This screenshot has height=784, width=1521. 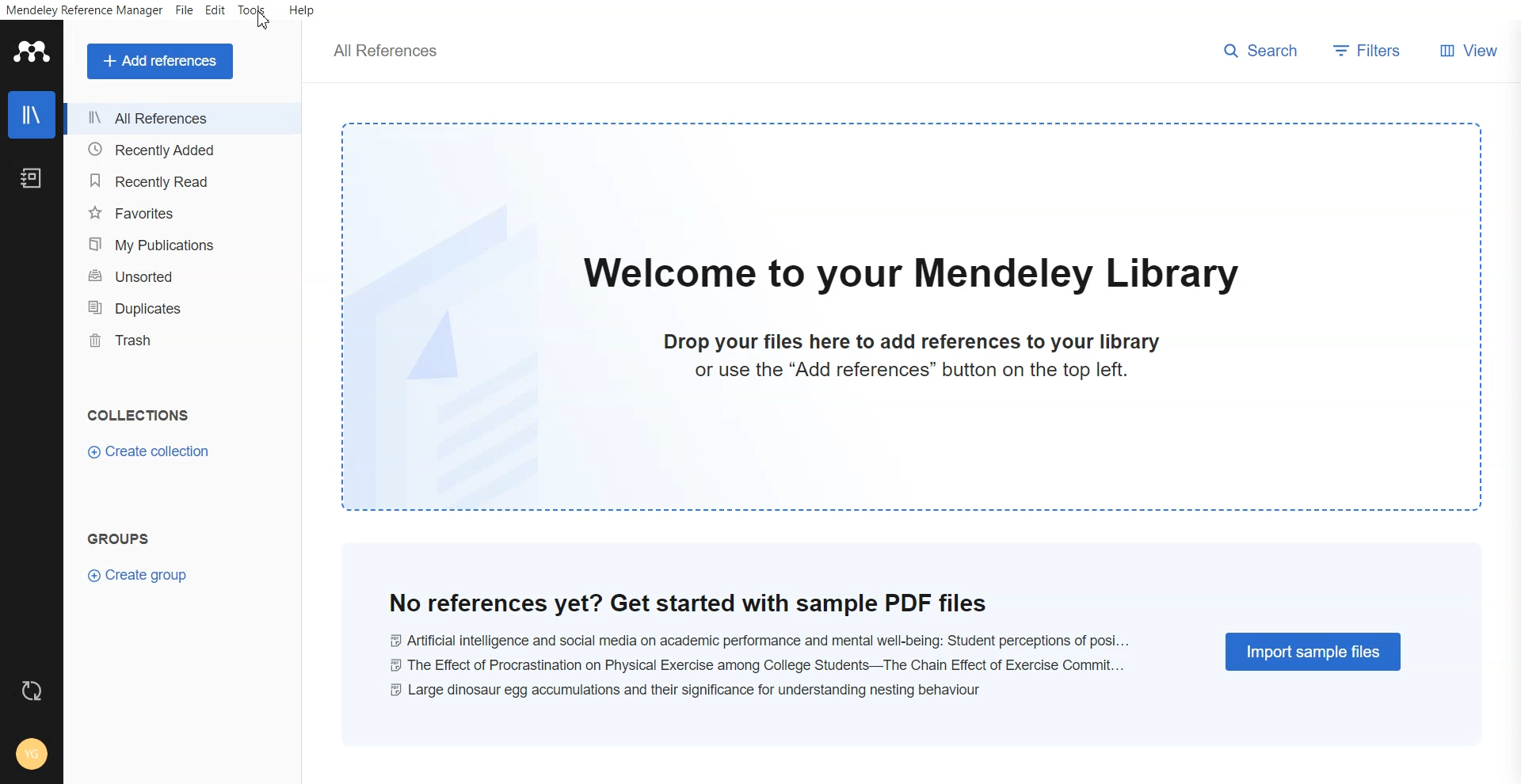 I want to click on Trash, so click(x=181, y=338).